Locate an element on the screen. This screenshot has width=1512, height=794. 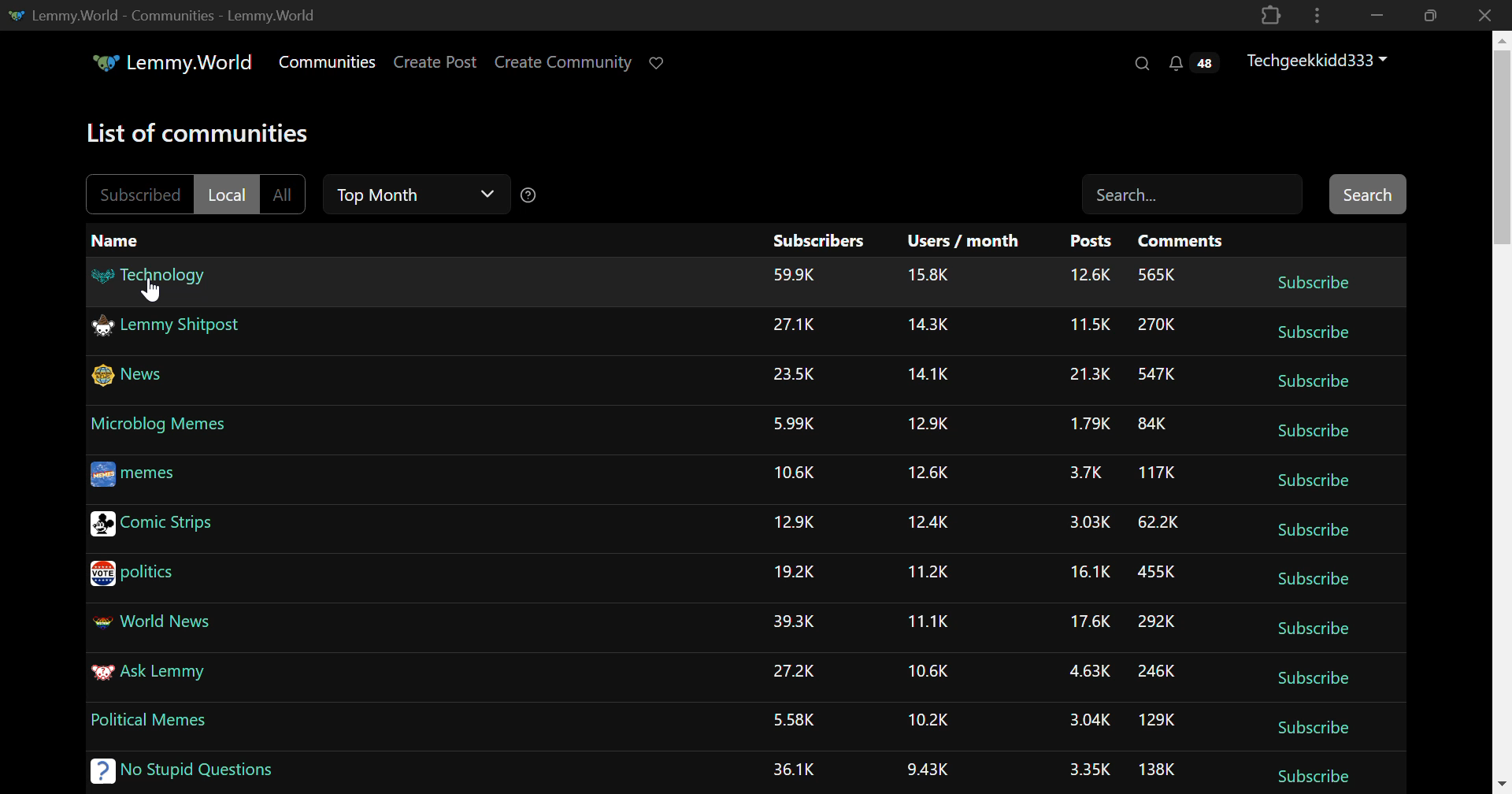
Communities is located at coordinates (329, 63).